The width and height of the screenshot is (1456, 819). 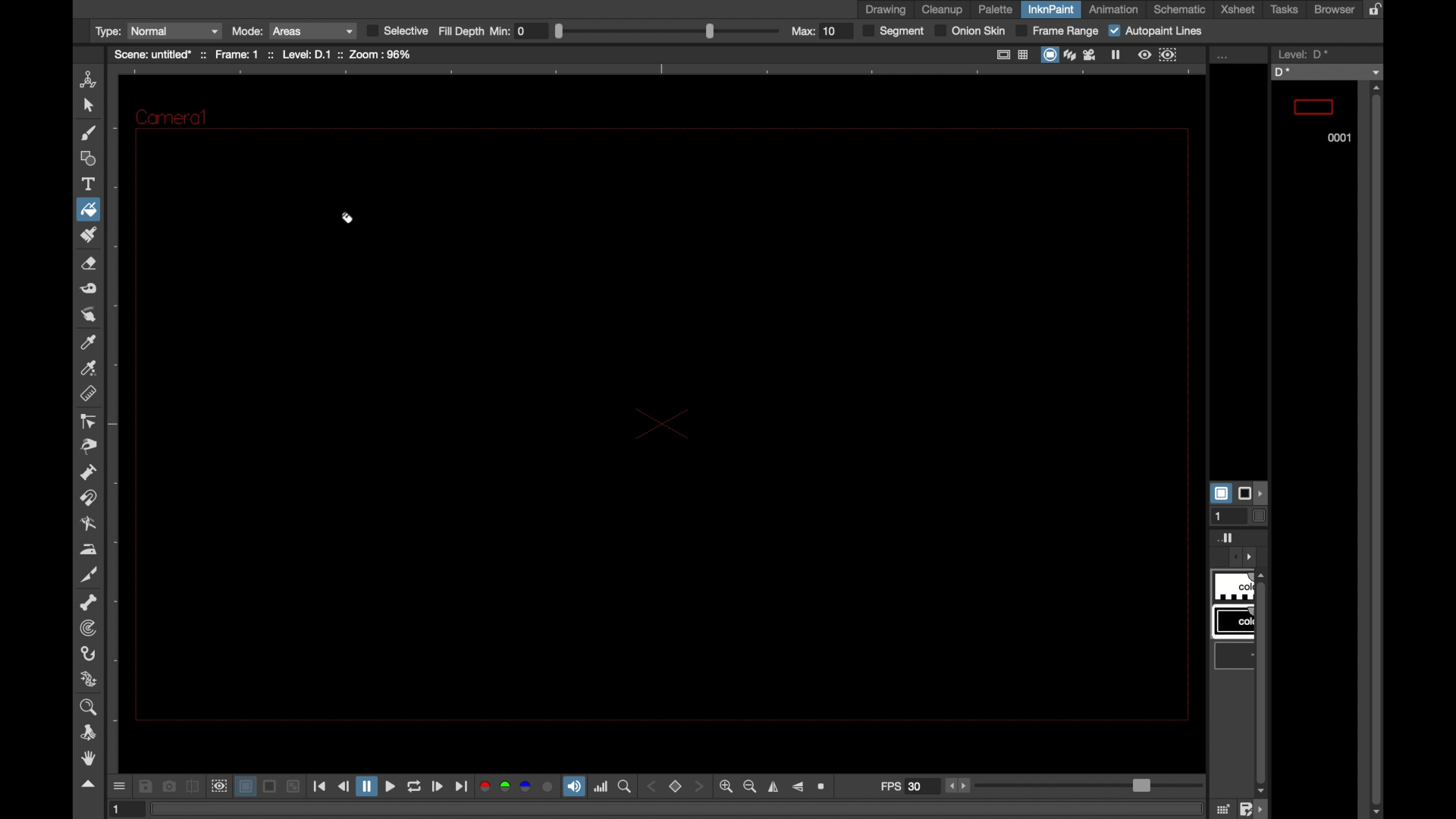 What do you see at coordinates (122, 810) in the screenshot?
I see `1` at bounding box center [122, 810].